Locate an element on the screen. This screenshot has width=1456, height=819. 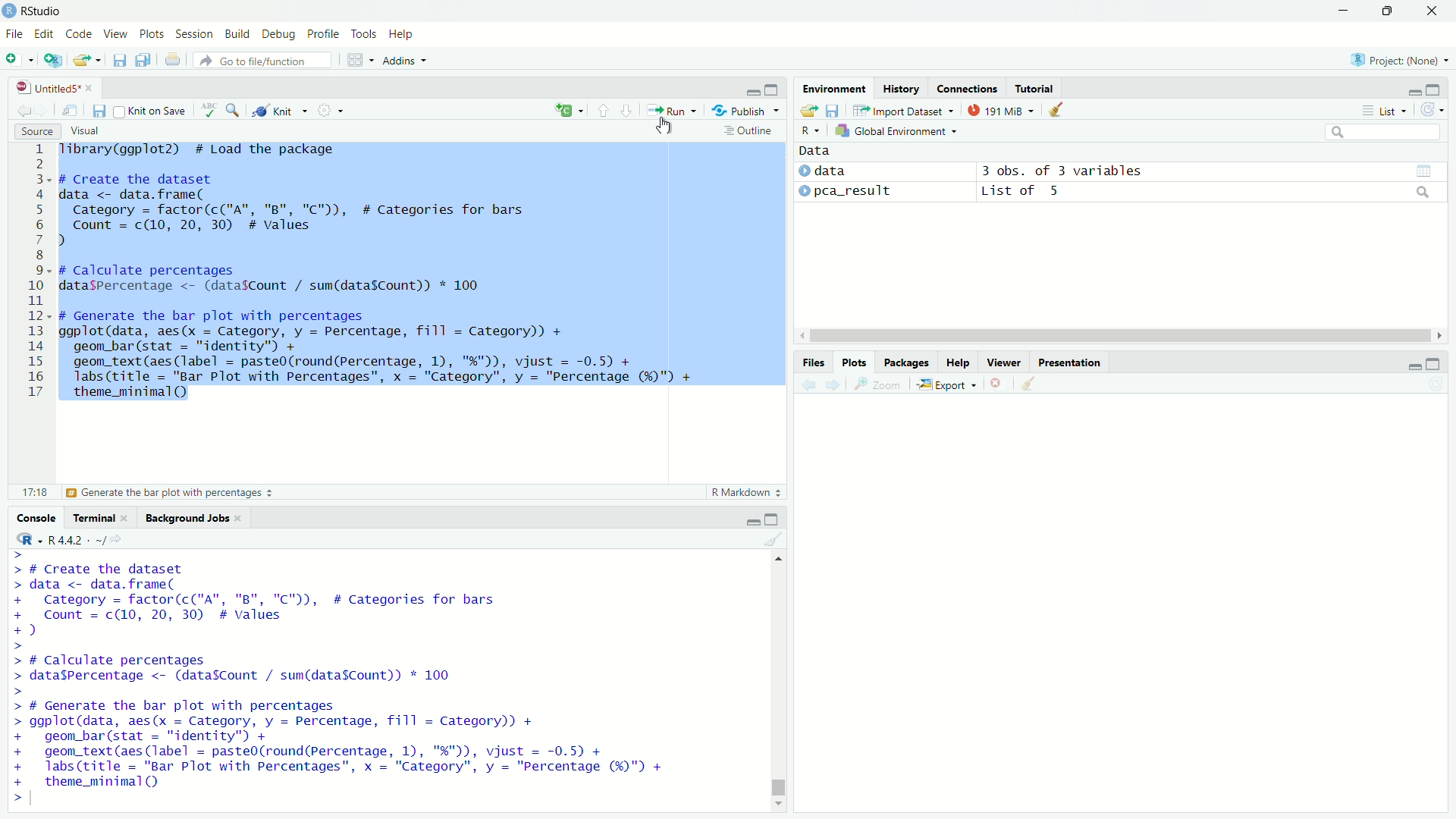
viewer is located at coordinates (1003, 362).